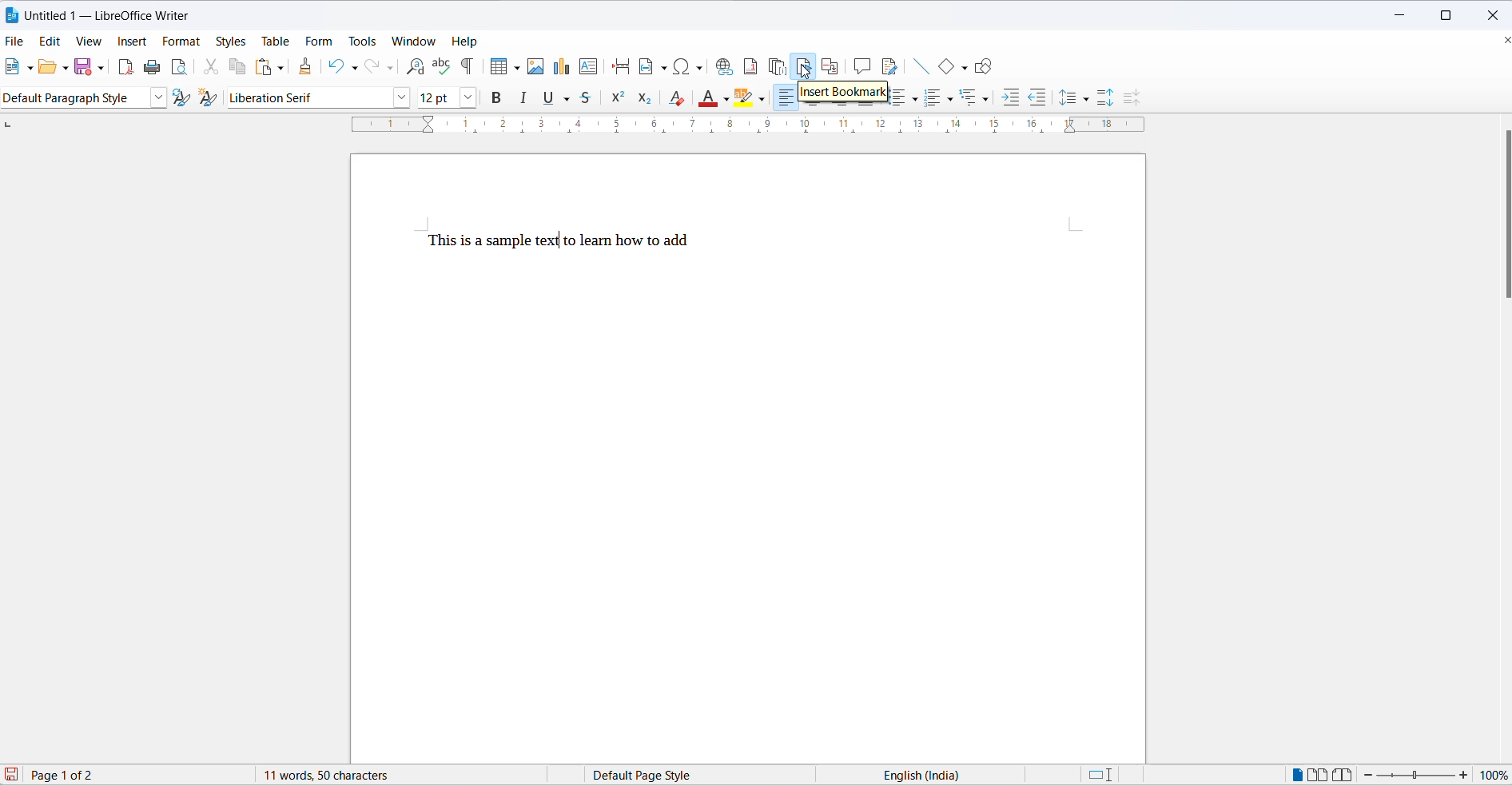 This screenshot has height=786, width=1512. What do you see at coordinates (535, 68) in the screenshot?
I see `add images` at bounding box center [535, 68].